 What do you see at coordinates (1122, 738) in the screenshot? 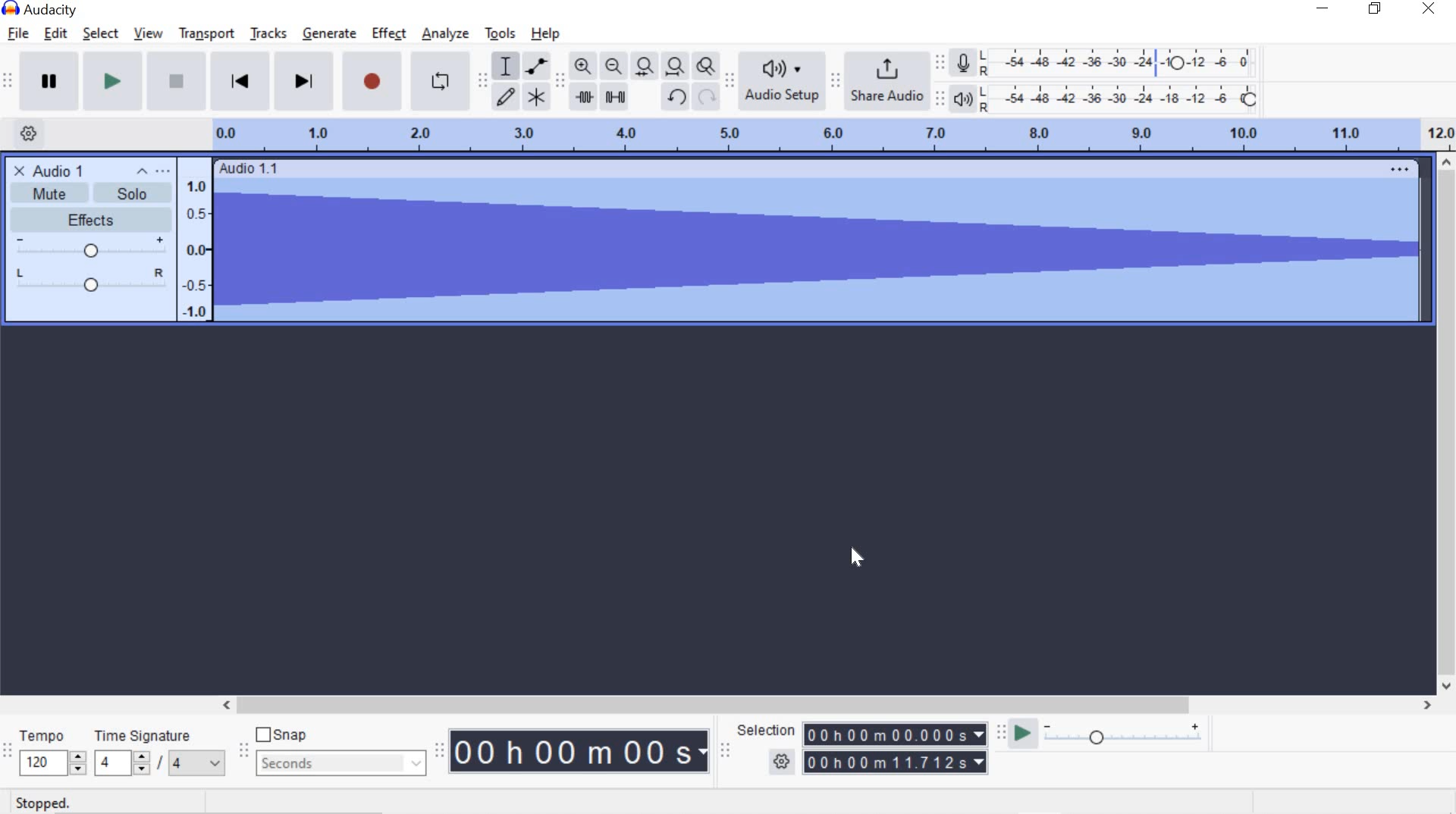
I see `Playback speed` at bounding box center [1122, 738].